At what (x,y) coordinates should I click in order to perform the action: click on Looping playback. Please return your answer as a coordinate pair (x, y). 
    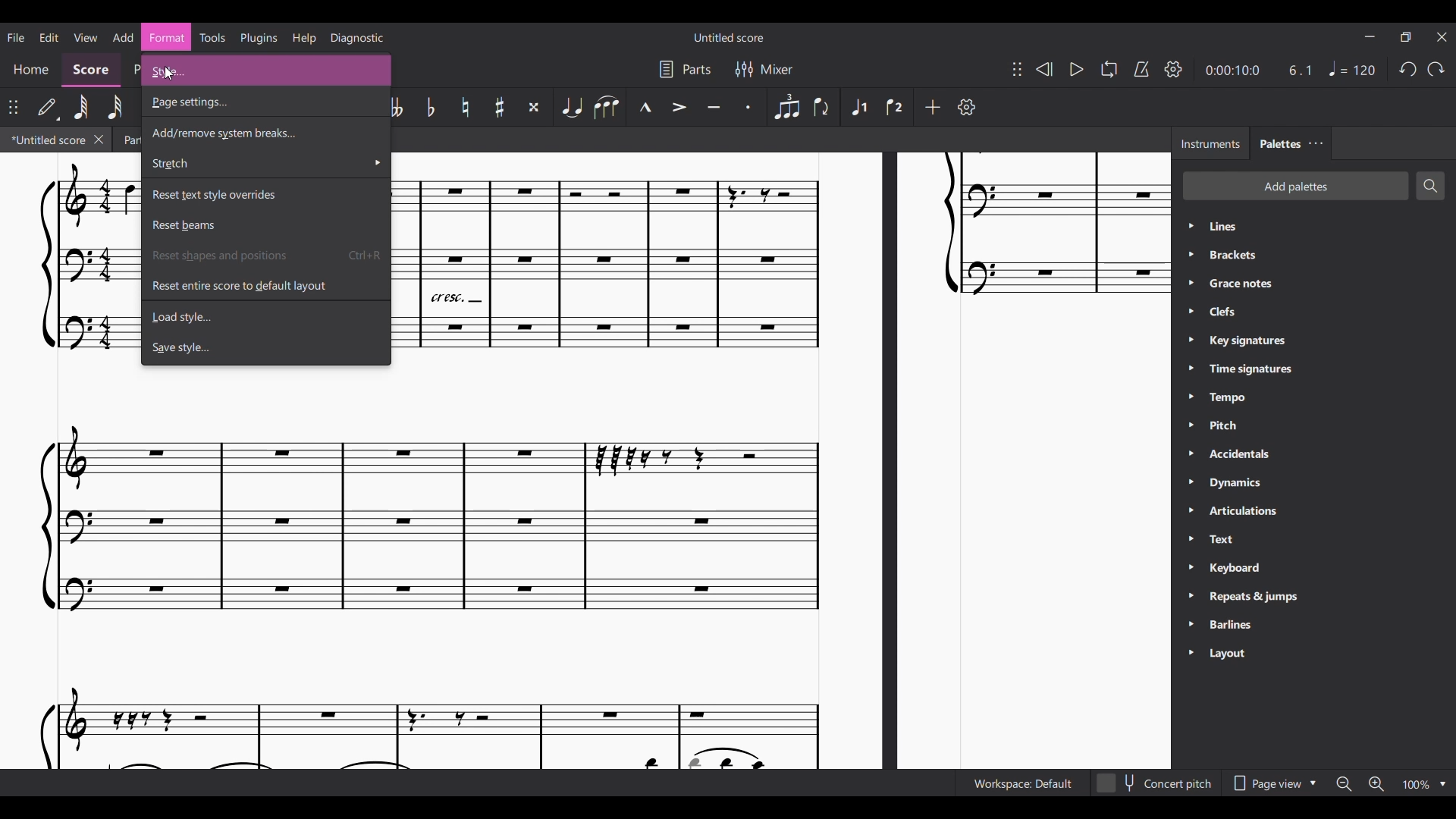
    Looking at the image, I should click on (1109, 69).